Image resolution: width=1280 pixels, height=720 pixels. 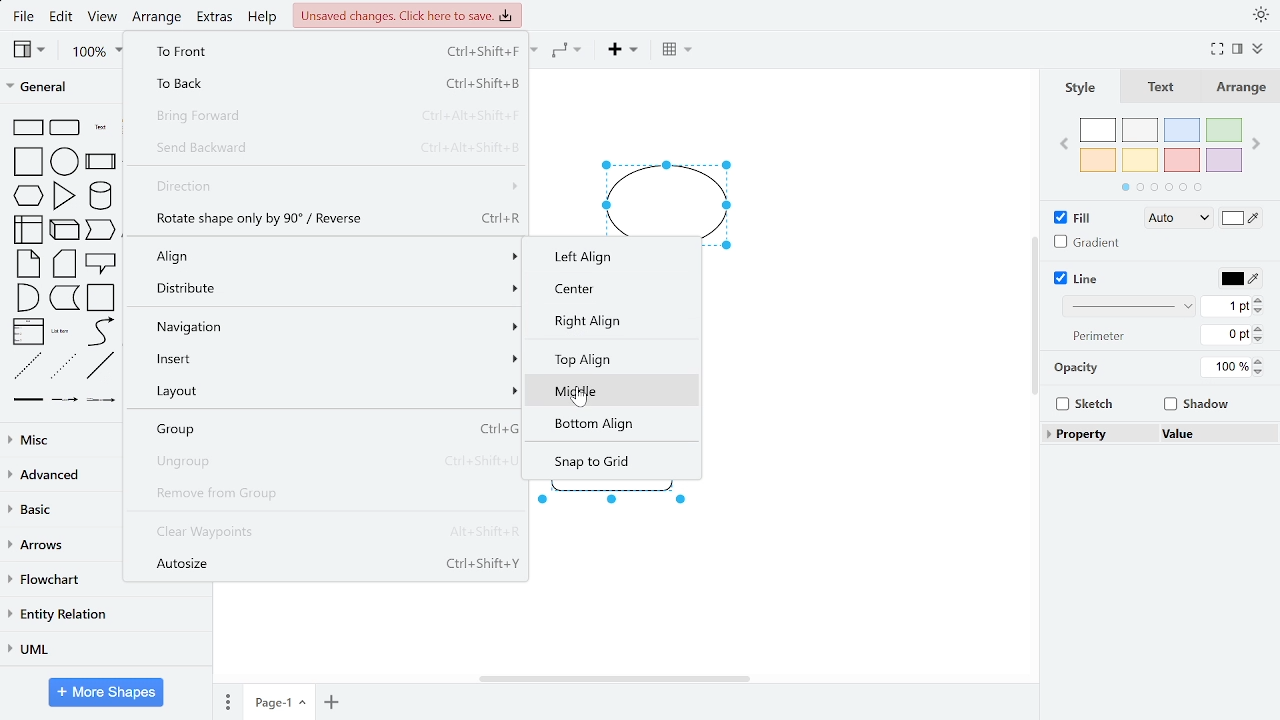 What do you see at coordinates (1197, 404) in the screenshot?
I see `Shadow` at bounding box center [1197, 404].